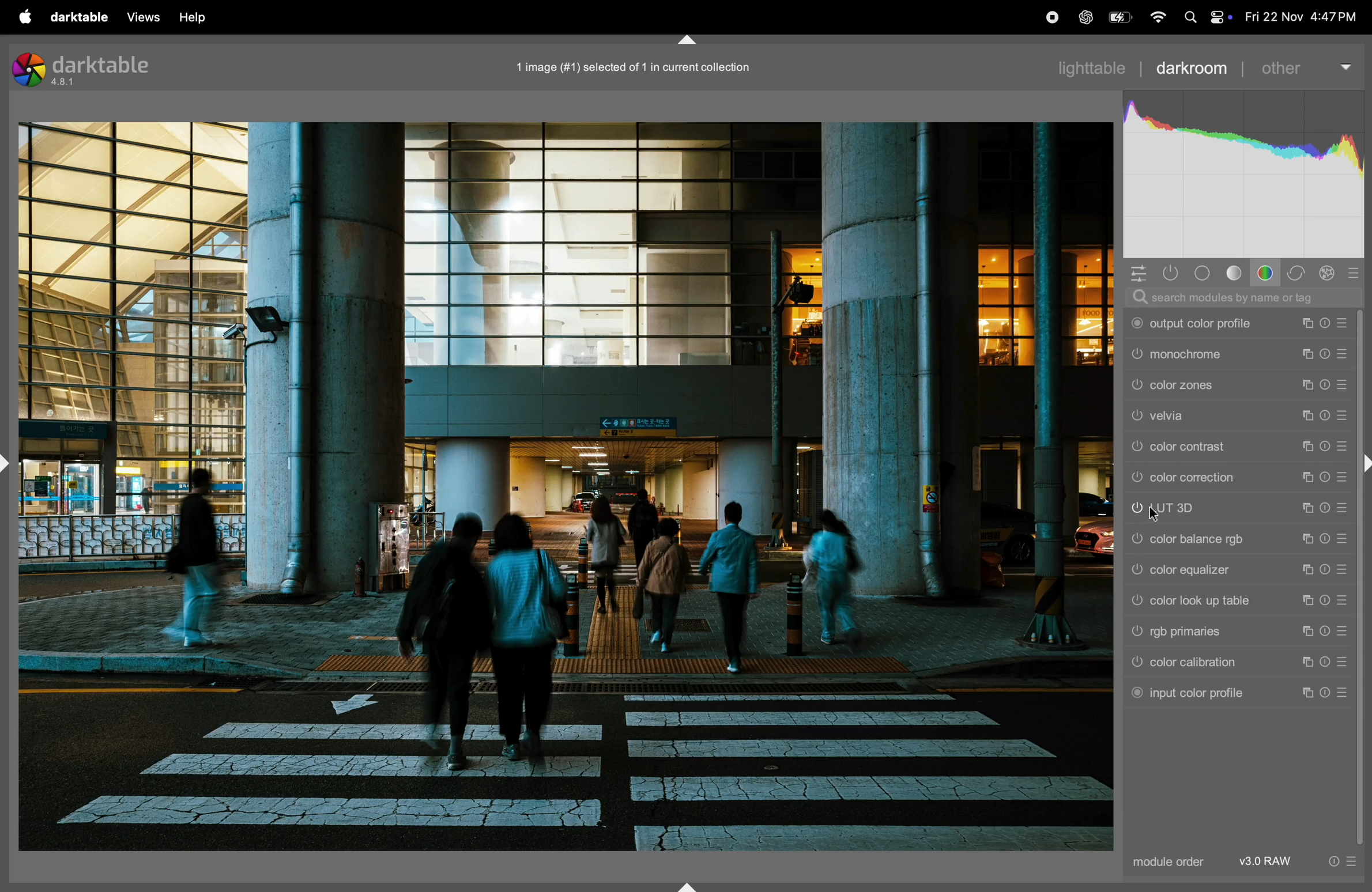 This screenshot has width=1372, height=892. I want to click on color correction, so click(1220, 477).